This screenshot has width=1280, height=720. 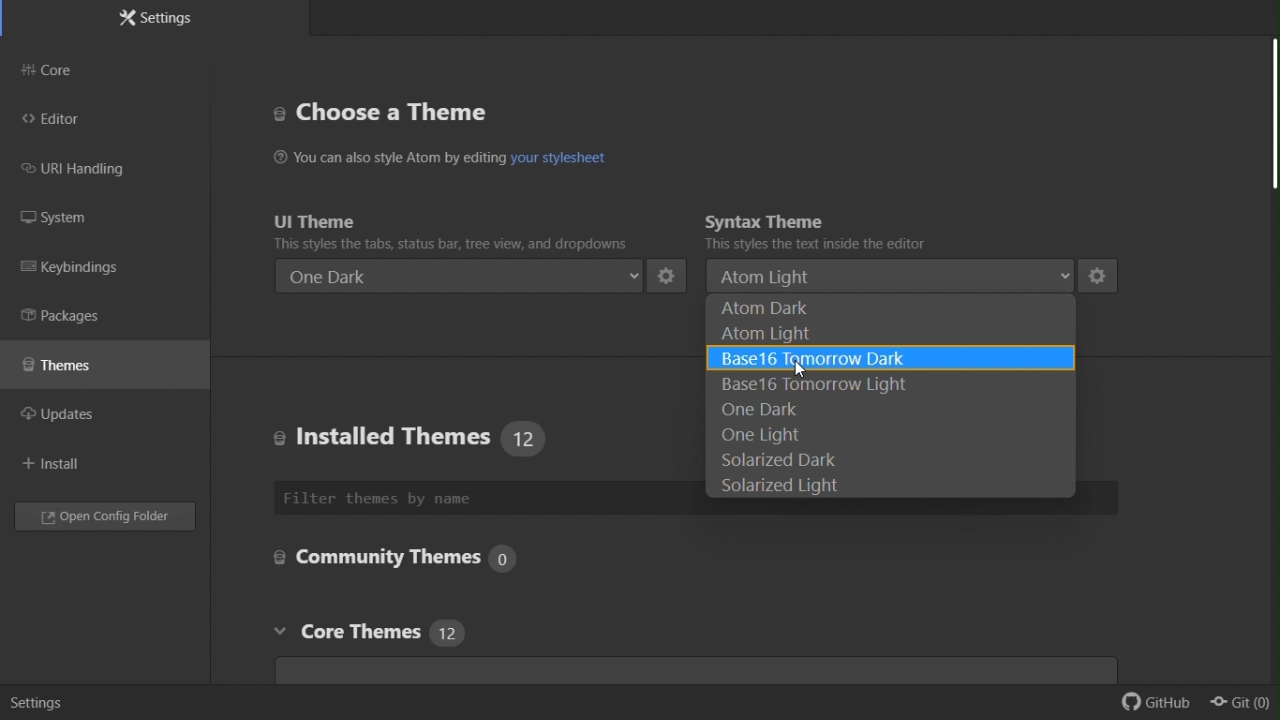 I want to click on UI theme, so click(x=446, y=229).